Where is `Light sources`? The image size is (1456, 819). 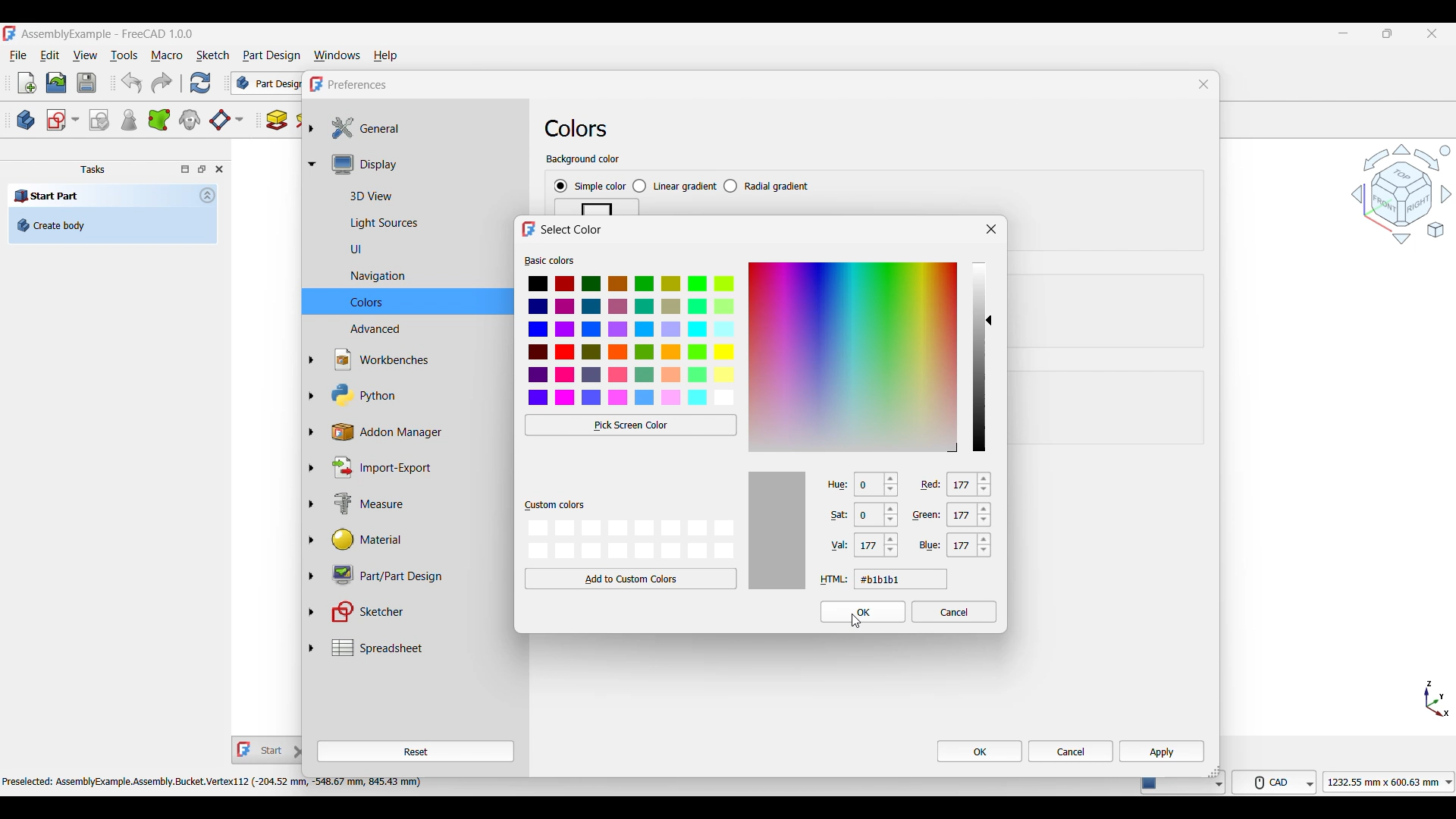 Light sources is located at coordinates (418, 224).